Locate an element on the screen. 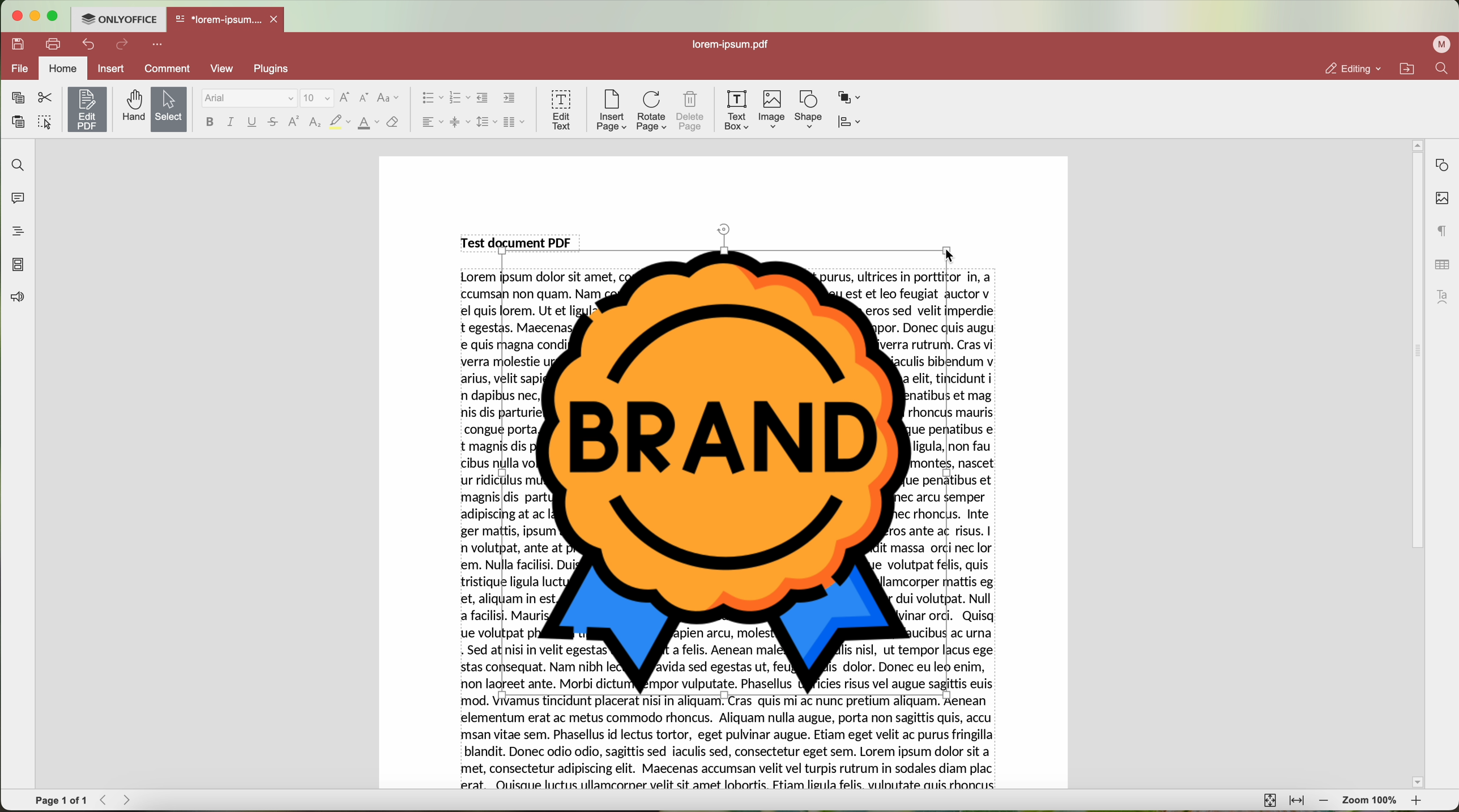 This screenshot has width=1459, height=812. Image is located at coordinates (773, 110).